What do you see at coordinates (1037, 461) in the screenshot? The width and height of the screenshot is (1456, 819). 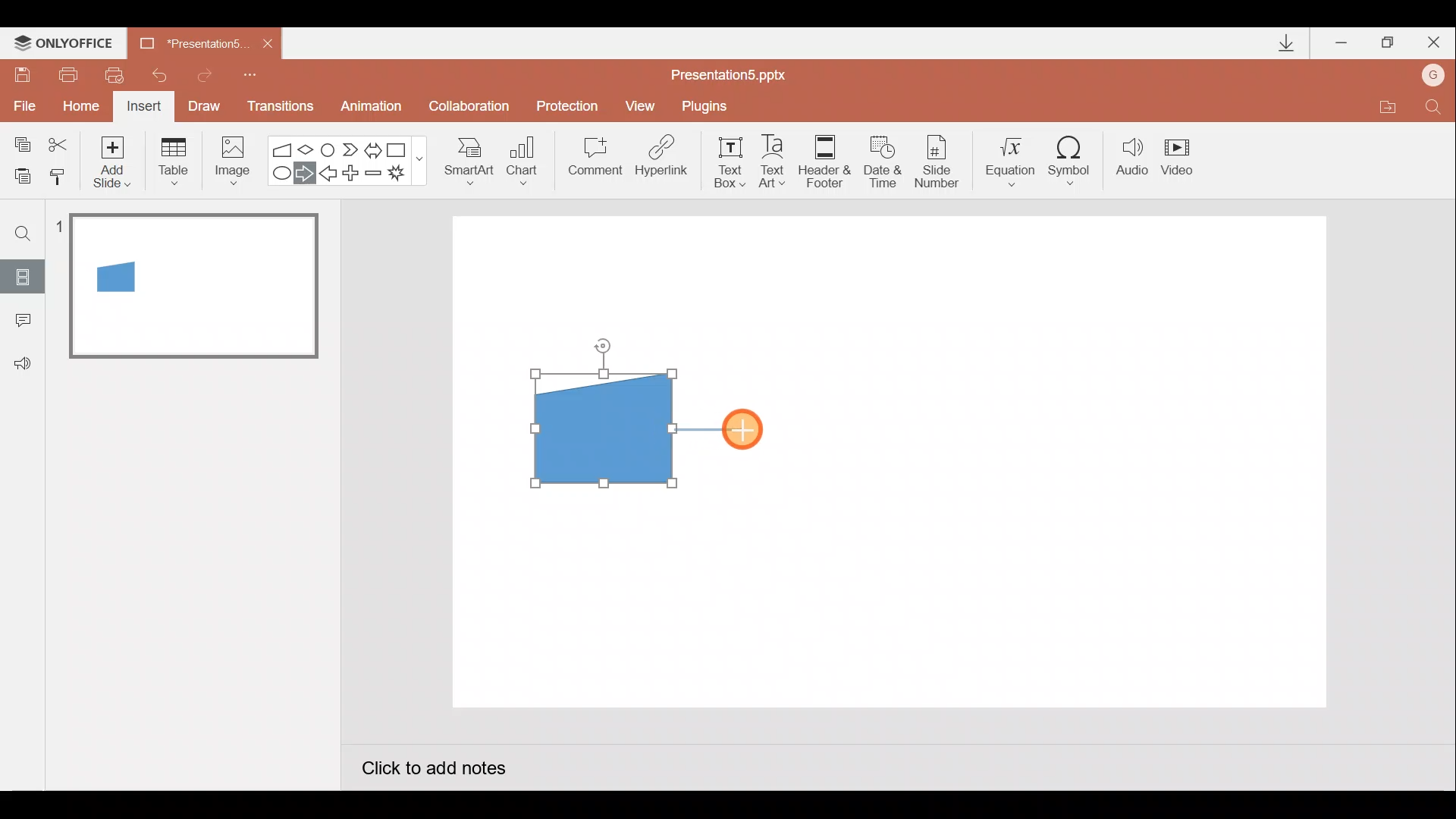 I see `Presentation slide` at bounding box center [1037, 461].